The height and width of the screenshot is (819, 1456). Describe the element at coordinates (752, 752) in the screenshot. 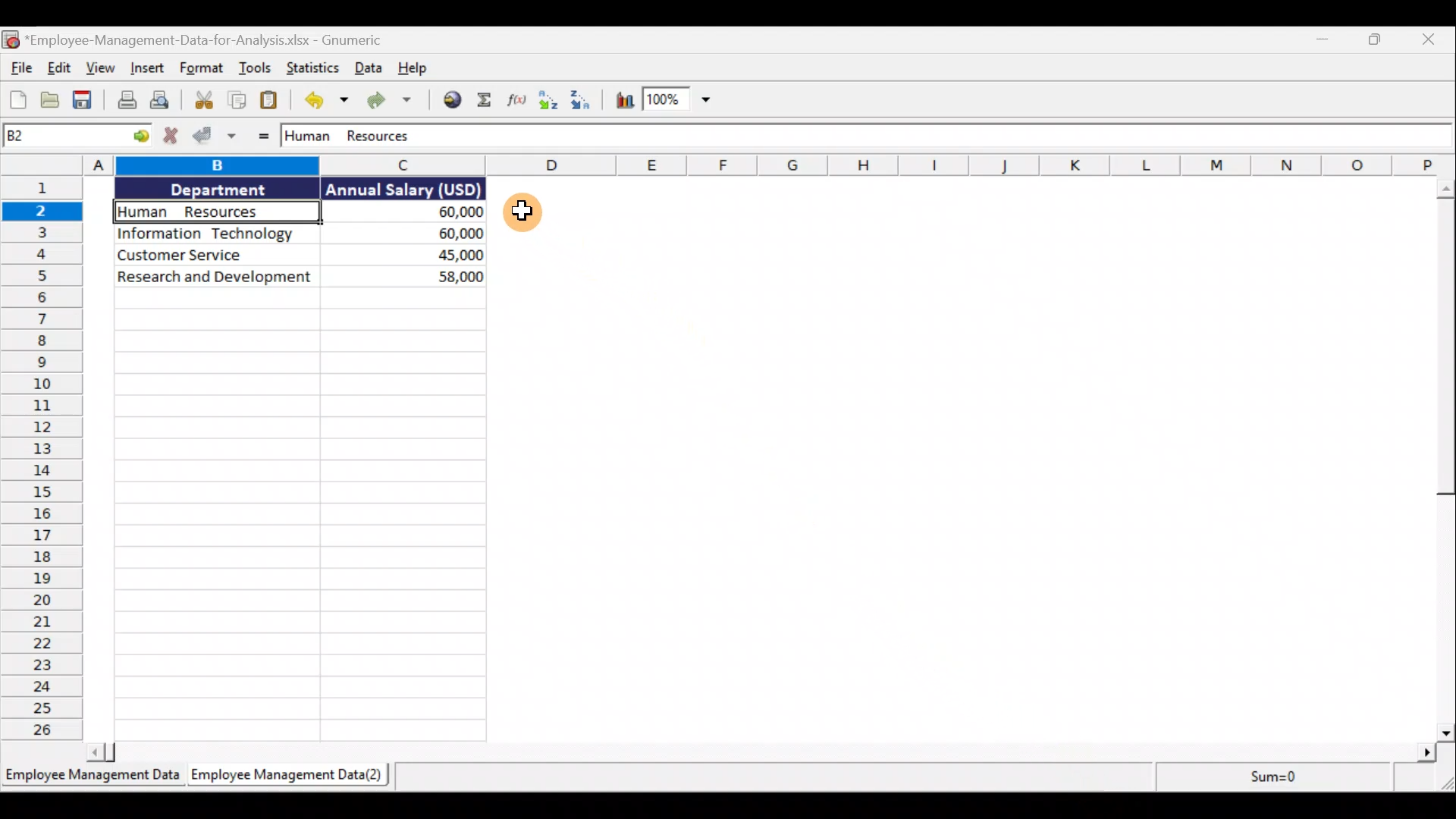

I see `scroll bar` at that location.